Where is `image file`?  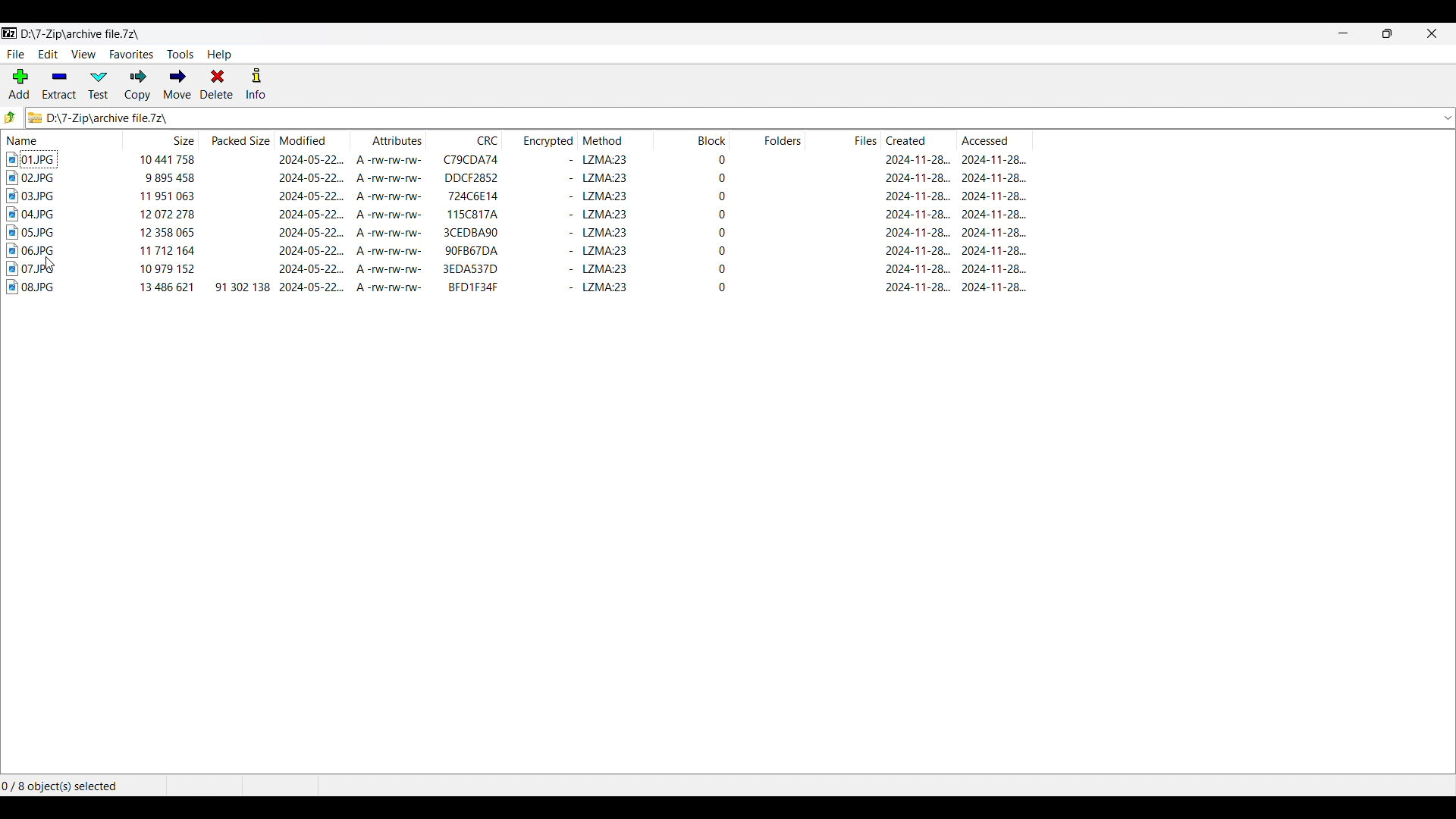
image file is located at coordinates (31, 159).